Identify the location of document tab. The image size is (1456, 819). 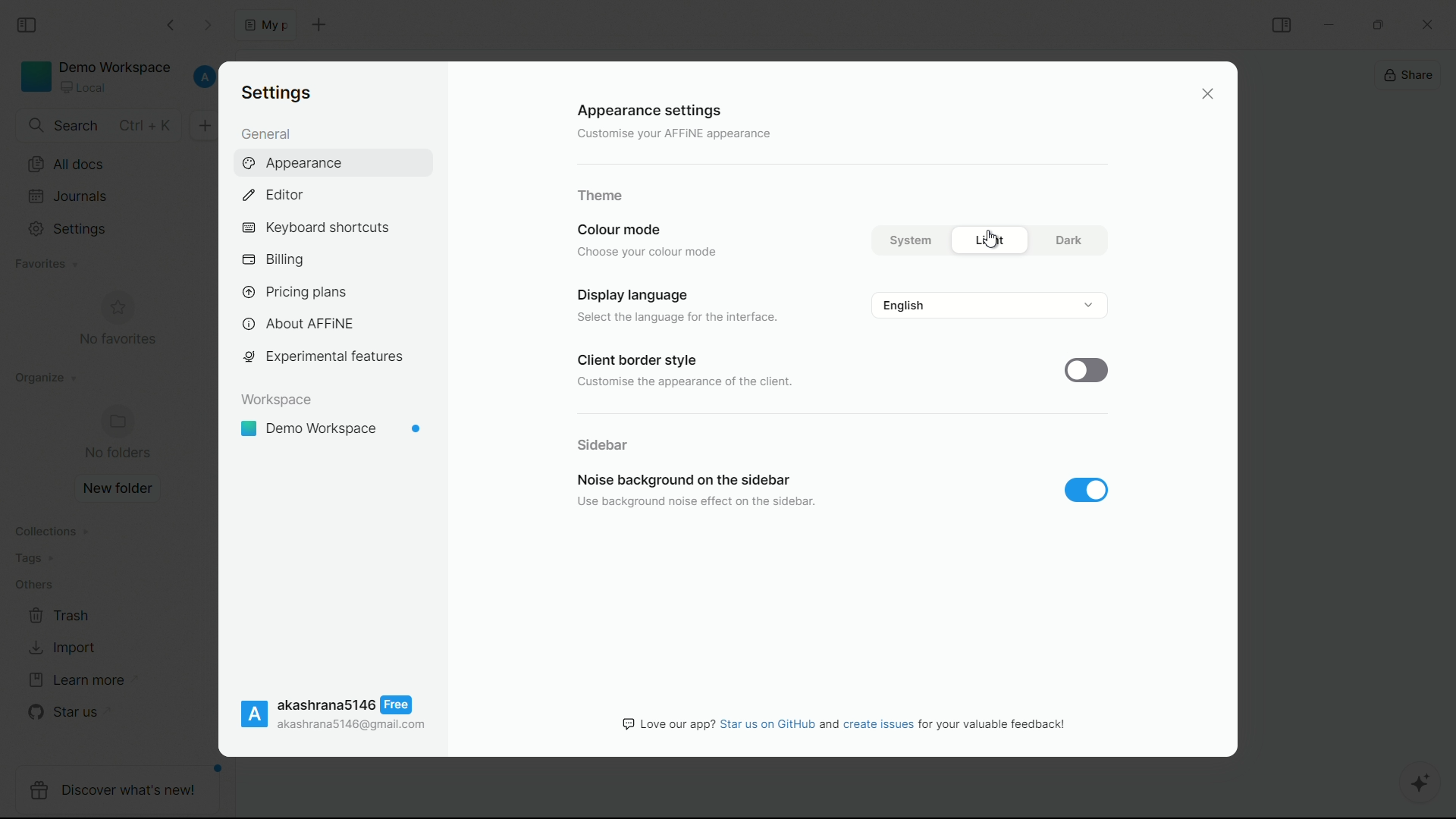
(265, 24).